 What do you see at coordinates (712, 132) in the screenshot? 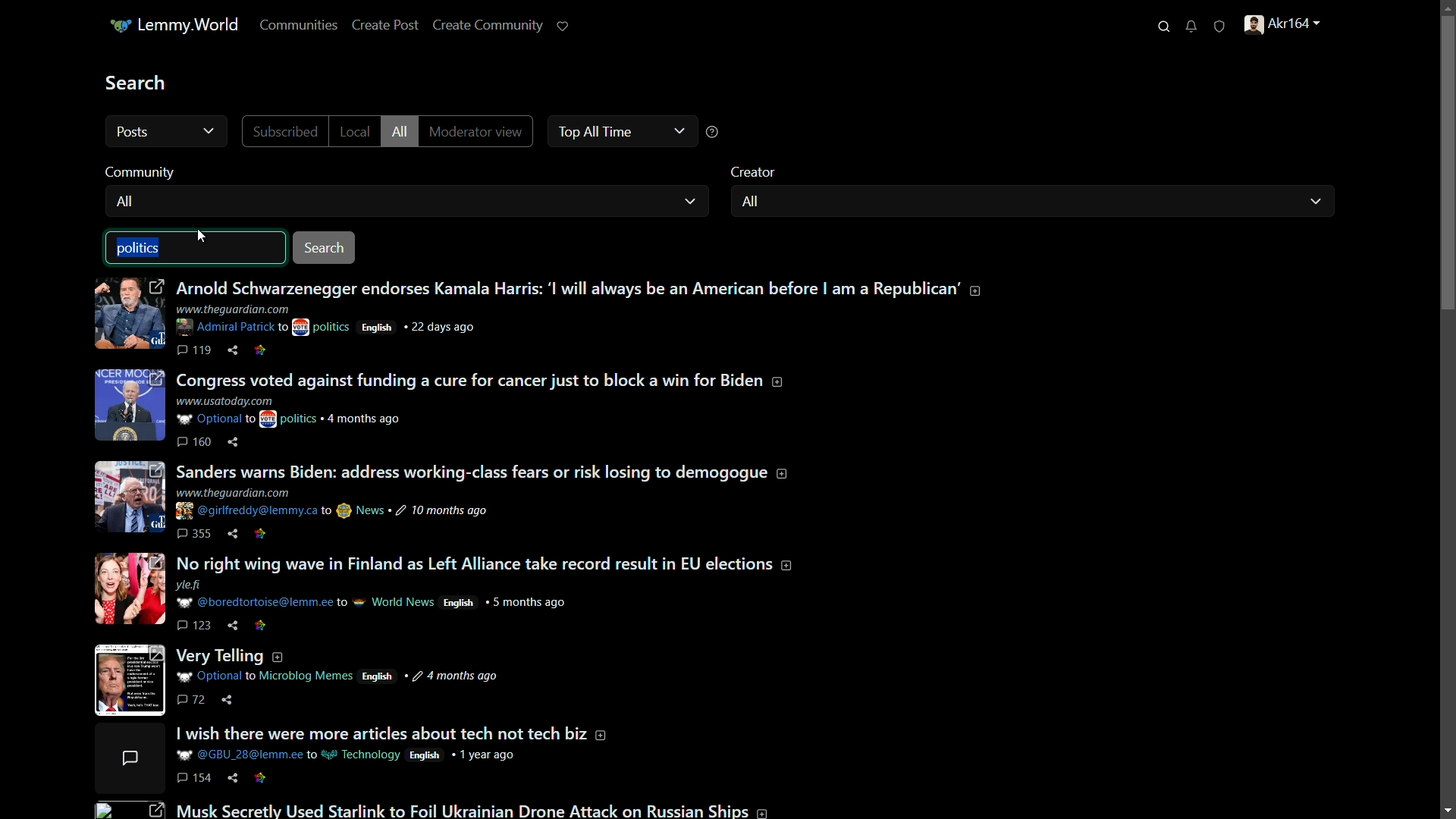
I see `help` at bounding box center [712, 132].